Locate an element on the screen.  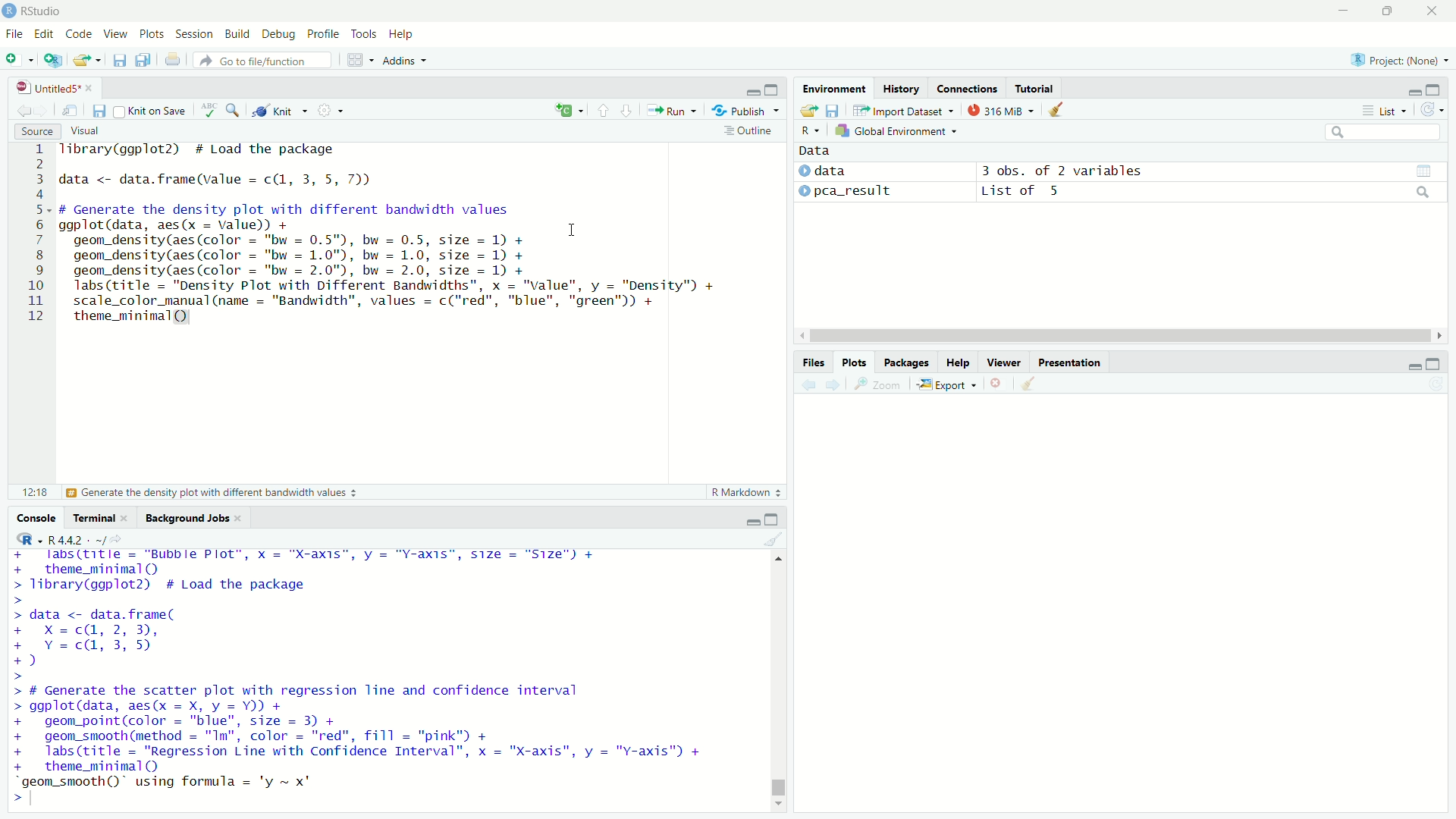
Build is located at coordinates (237, 33).